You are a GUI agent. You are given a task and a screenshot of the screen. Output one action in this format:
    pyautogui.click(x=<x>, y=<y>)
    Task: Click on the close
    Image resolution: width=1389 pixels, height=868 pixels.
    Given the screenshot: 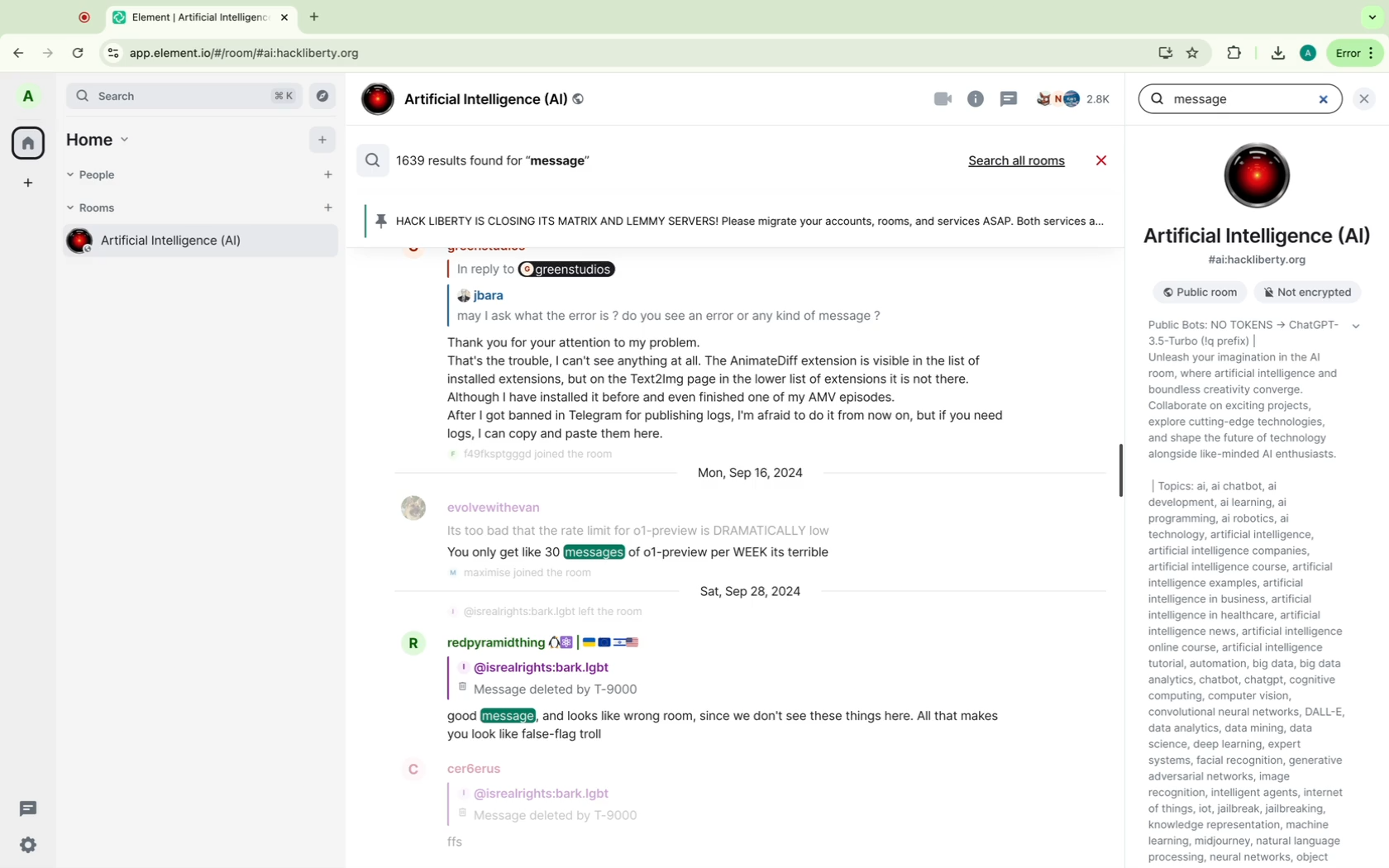 What is the action you would take?
    pyautogui.click(x=1368, y=98)
    